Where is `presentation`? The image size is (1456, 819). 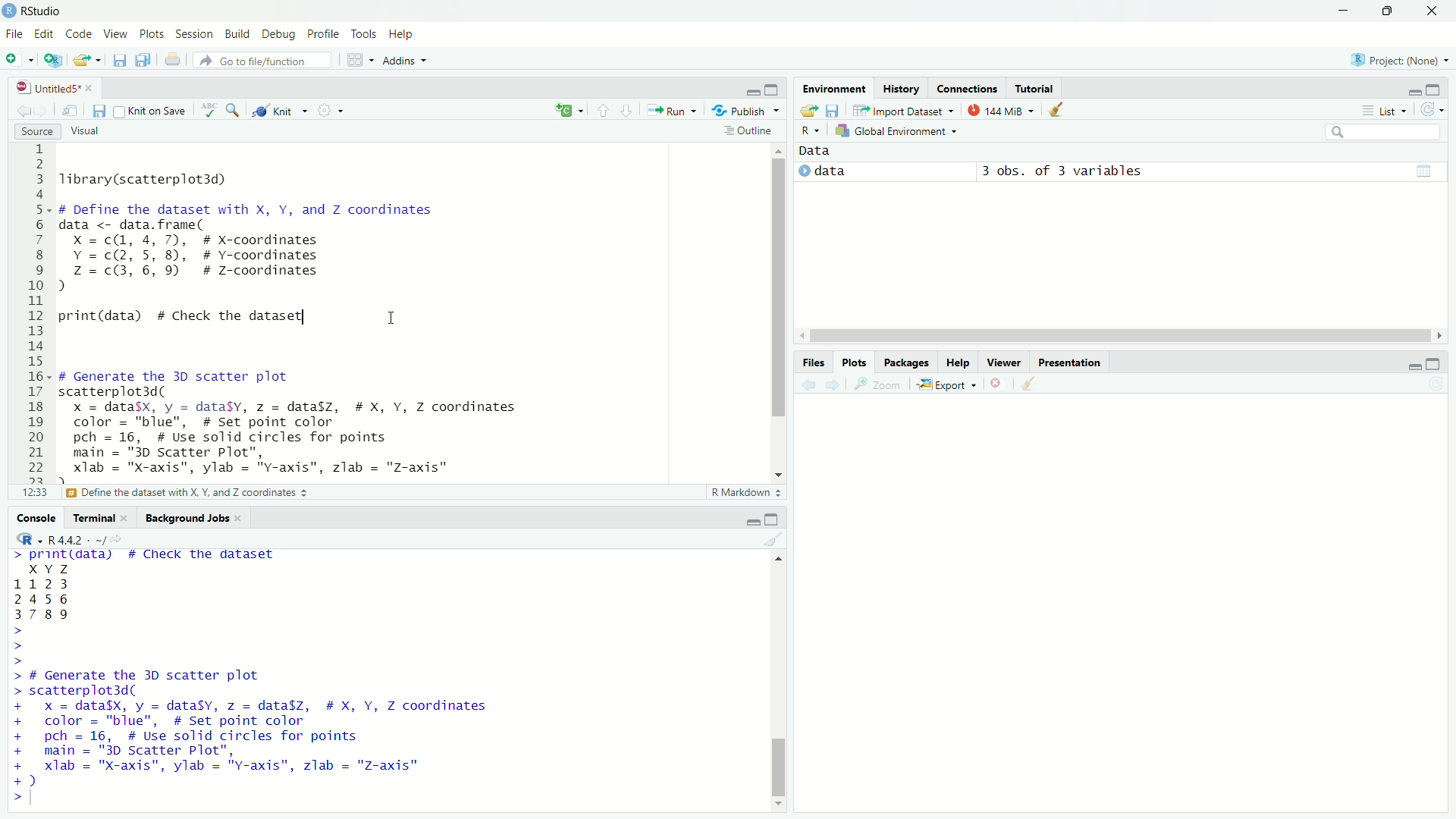
presentation is located at coordinates (1072, 362).